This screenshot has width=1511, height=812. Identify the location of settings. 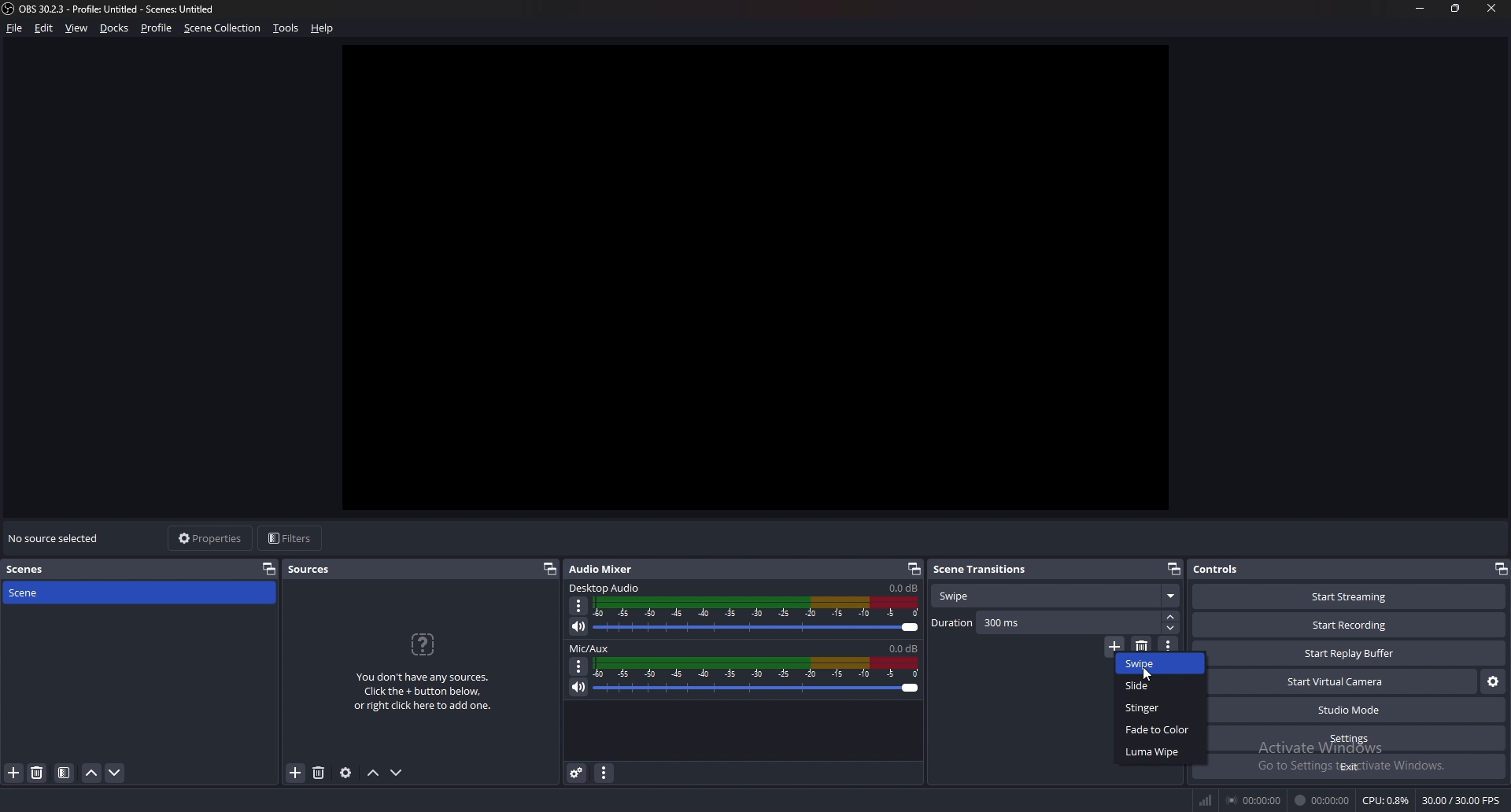
(1358, 738).